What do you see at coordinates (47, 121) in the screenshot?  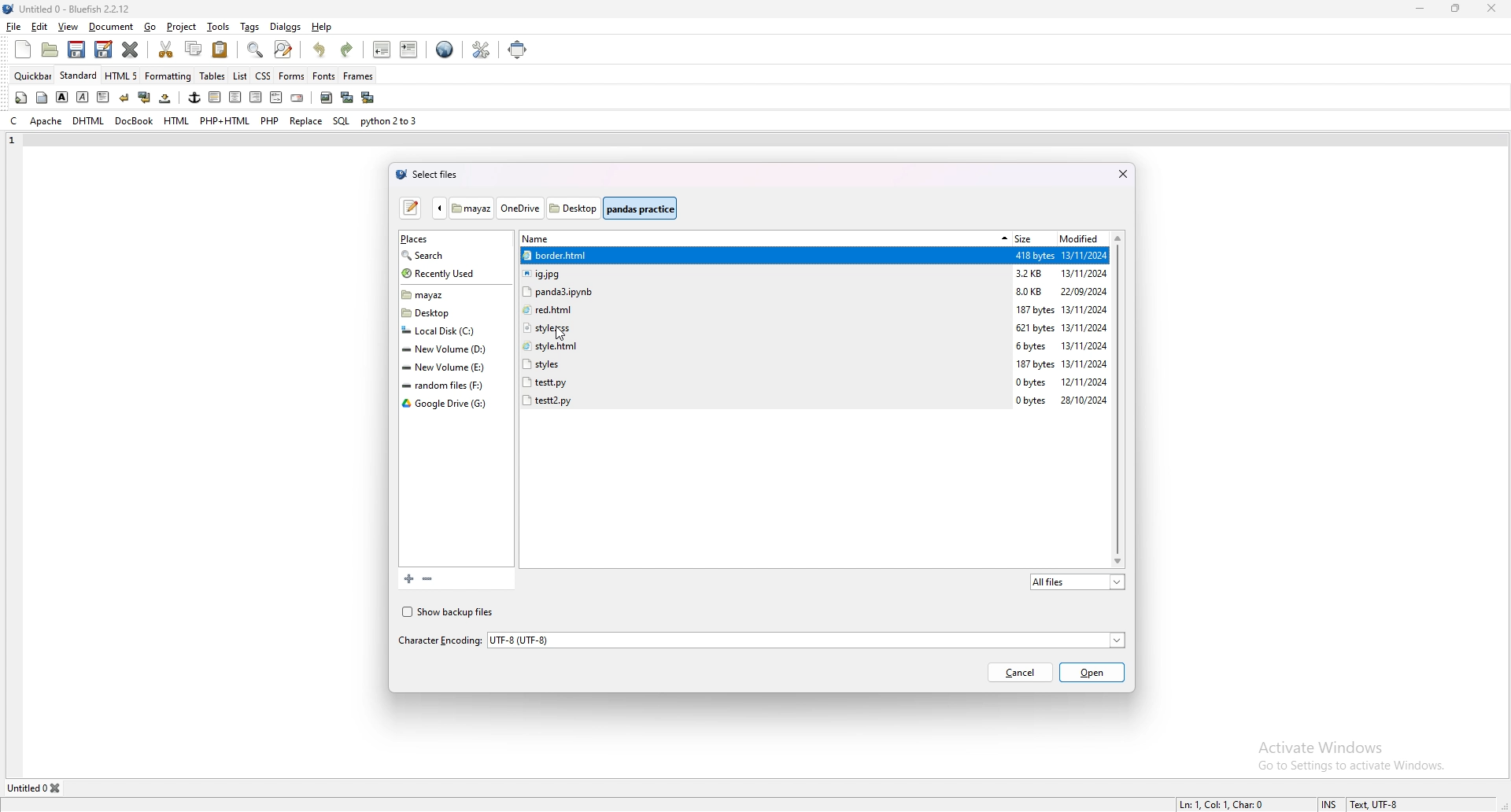 I see `apache` at bounding box center [47, 121].